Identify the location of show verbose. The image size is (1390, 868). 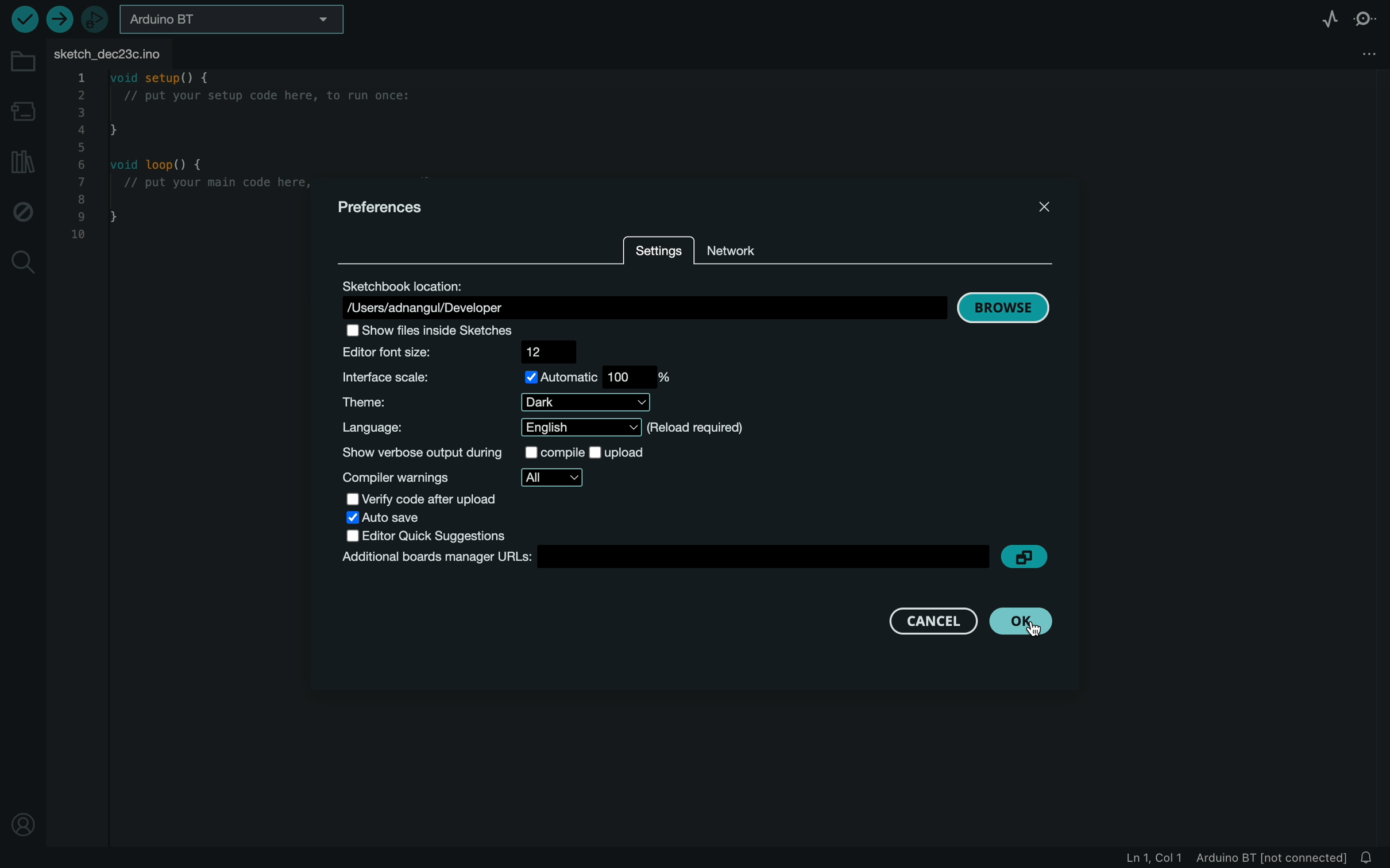
(508, 451).